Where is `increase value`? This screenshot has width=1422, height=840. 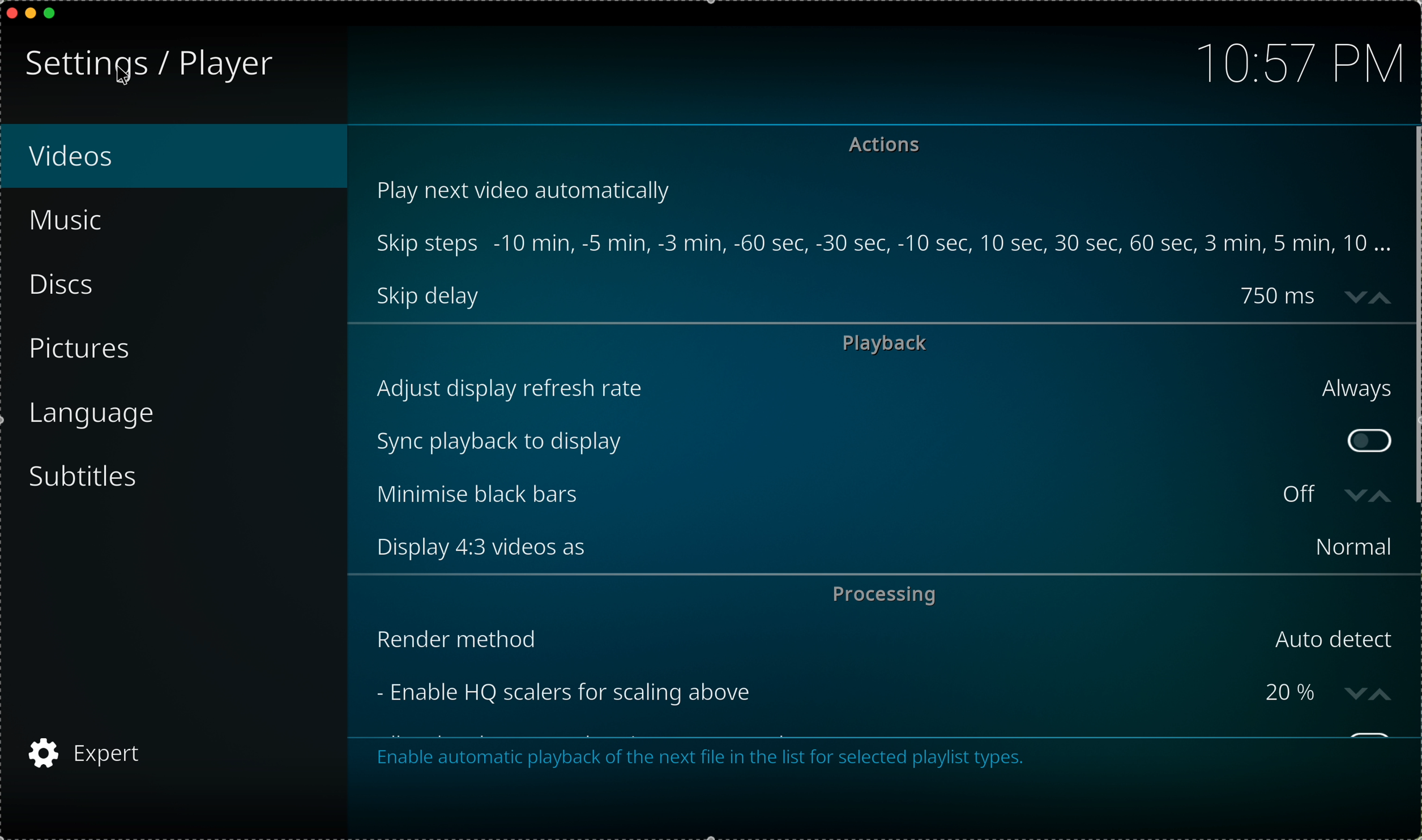
increase value is located at coordinates (1383, 294).